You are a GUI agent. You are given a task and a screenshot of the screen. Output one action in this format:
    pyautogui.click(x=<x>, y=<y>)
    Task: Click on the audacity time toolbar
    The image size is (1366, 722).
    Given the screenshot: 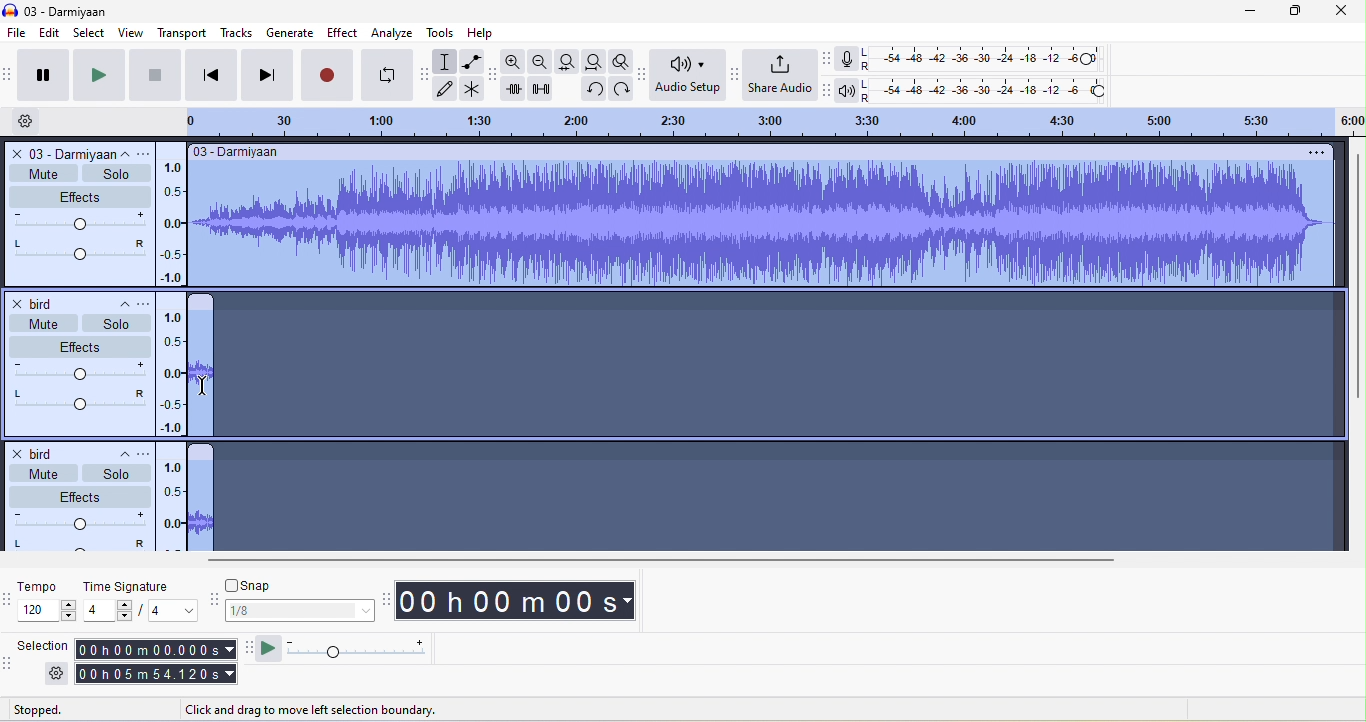 What is the action you would take?
    pyautogui.click(x=383, y=598)
    